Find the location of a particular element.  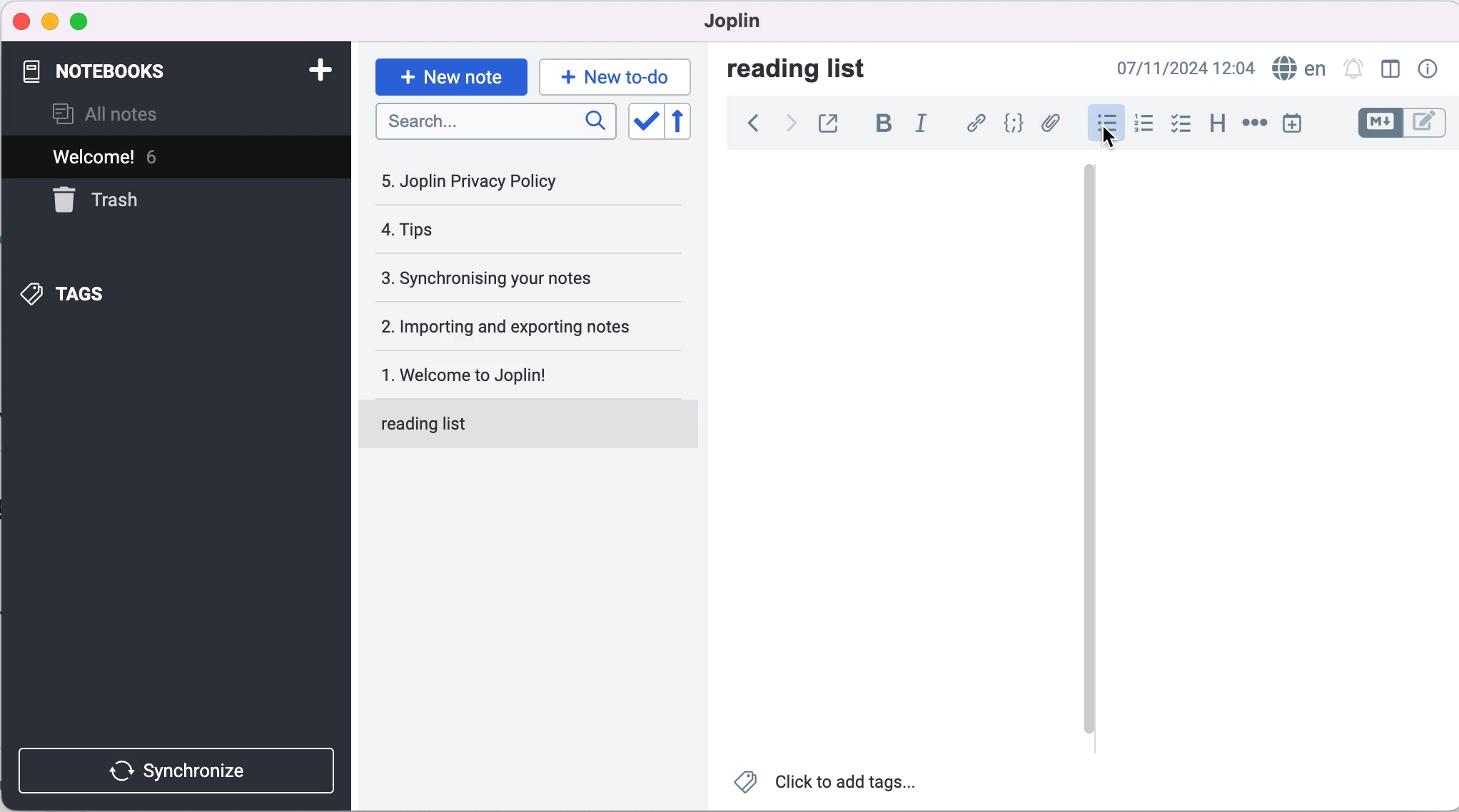

bulleted list is located at coordinates (1100, 126).